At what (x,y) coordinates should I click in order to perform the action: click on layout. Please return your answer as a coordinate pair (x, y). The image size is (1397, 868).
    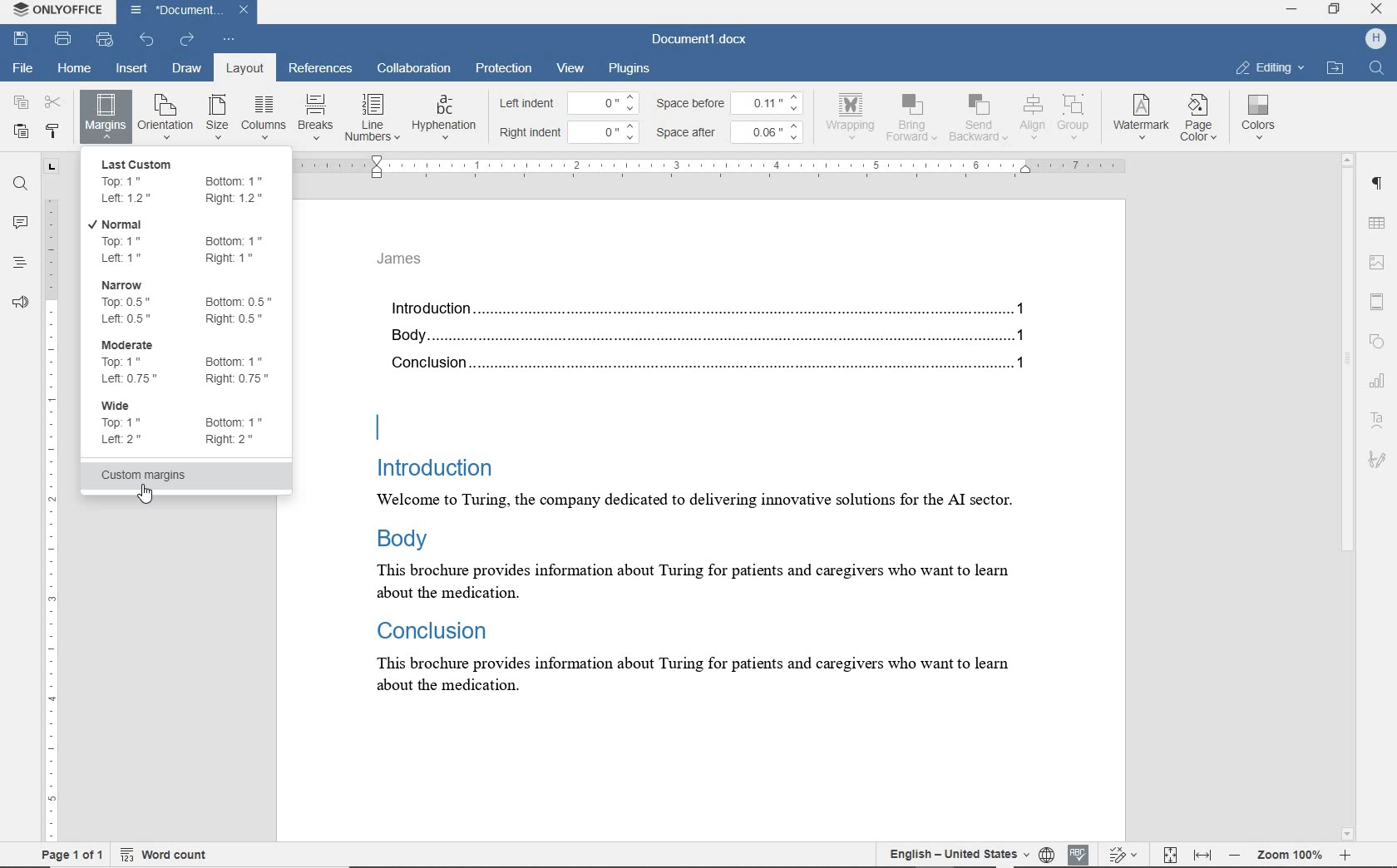
    Looking at the image, I should click on (241, 68).